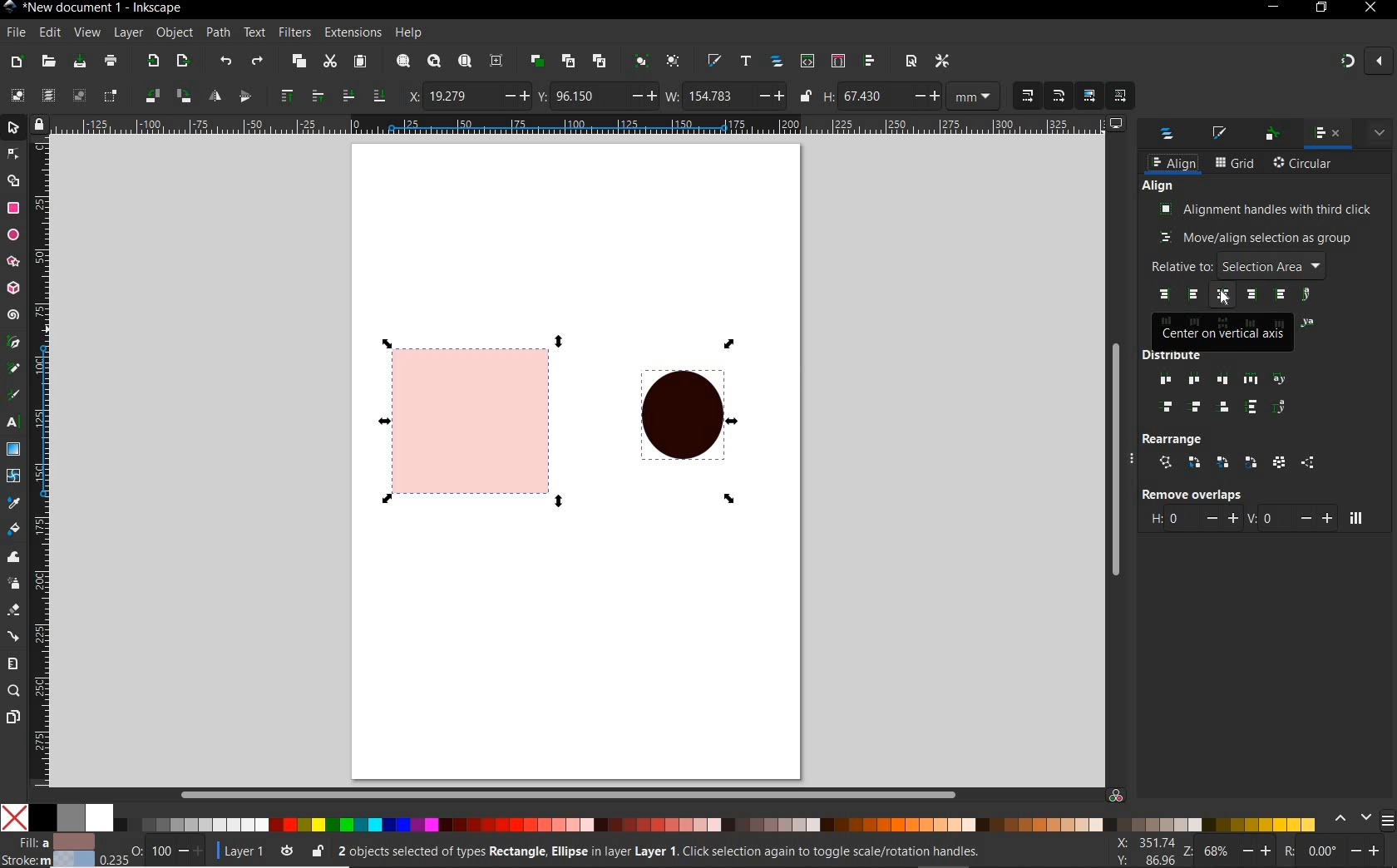 The image size is (1397, 868). What do you see at coordinates (360, 62) in the screenshot?
I see `paste` at bounding box center [360, 62].